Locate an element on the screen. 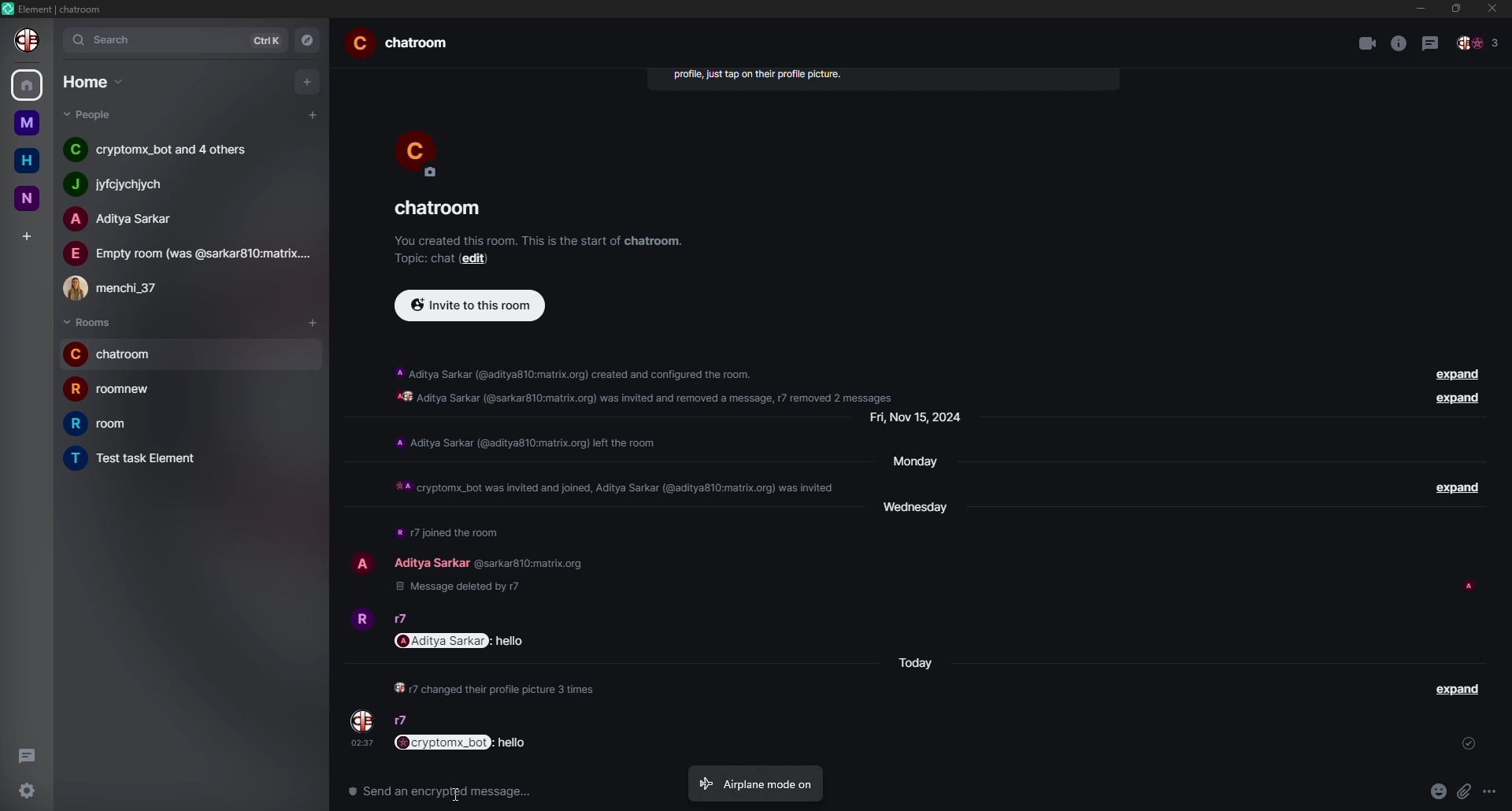 This screenshot has width=1512, height=811. info is located at coordinates (524, 442).